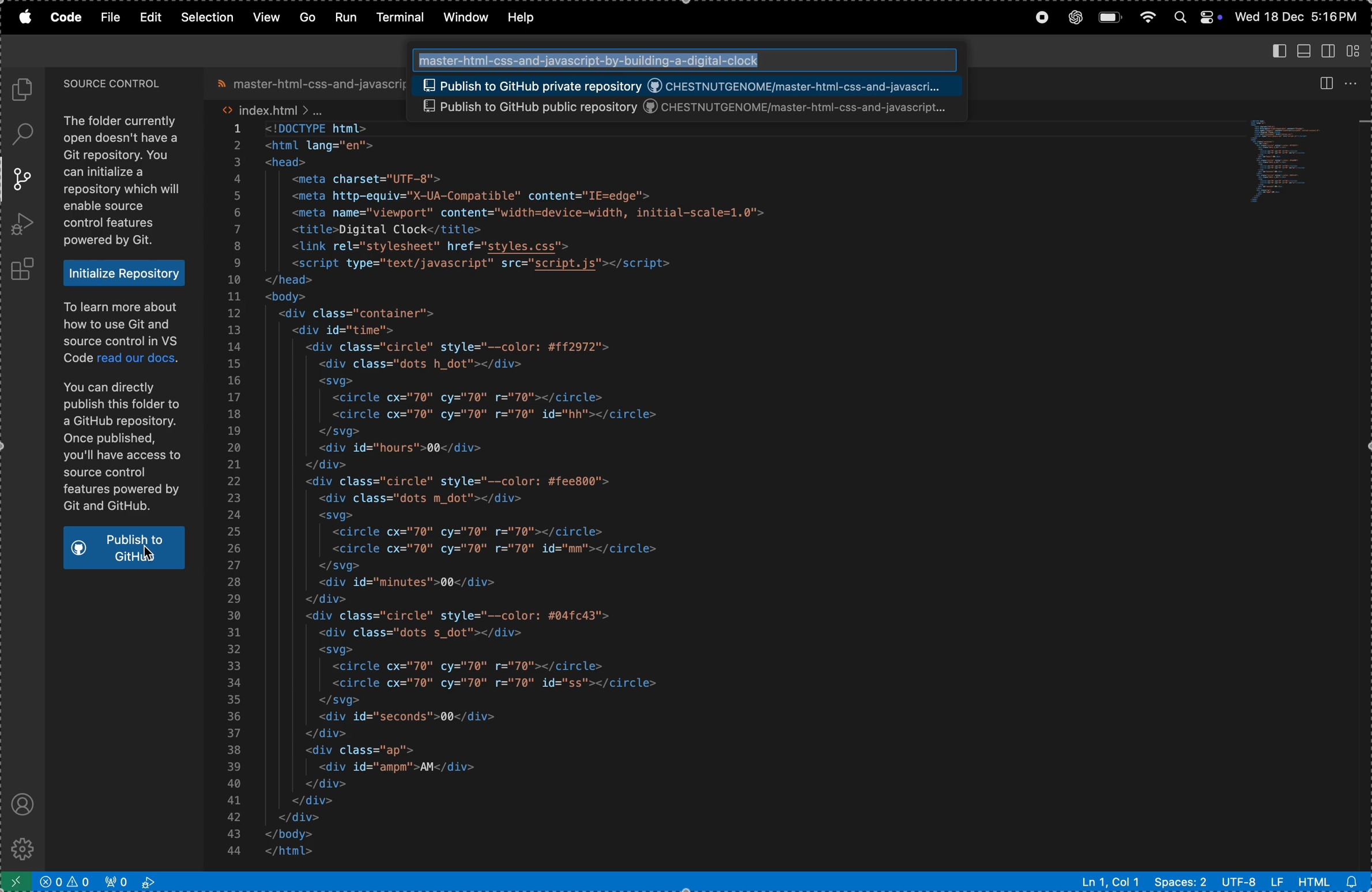  Describe the element at coordinates (1280, 162) in the screenshot. I see `code window` at that location.